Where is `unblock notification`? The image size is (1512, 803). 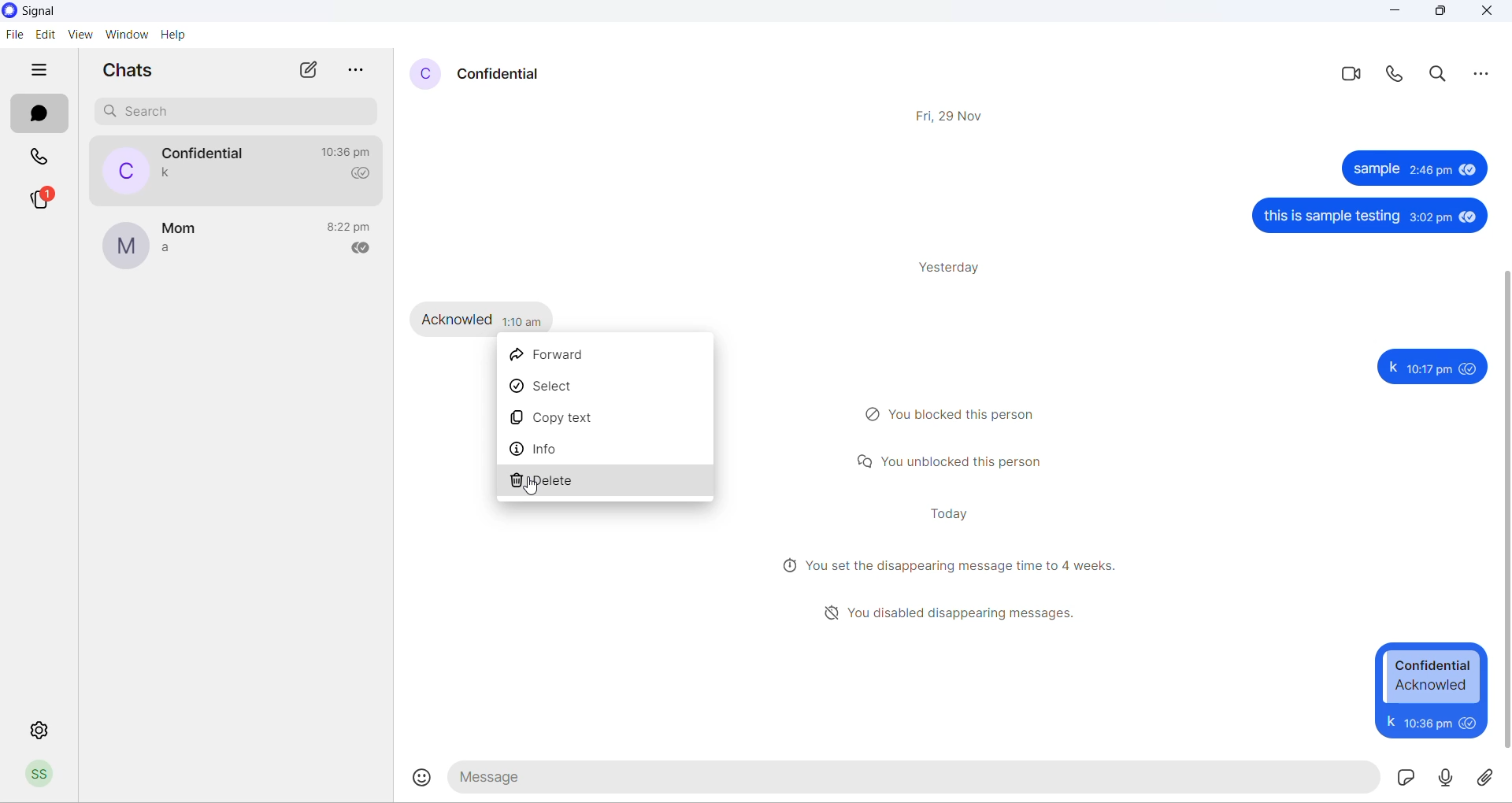
unblock notification is located at coordinates (953, 464).